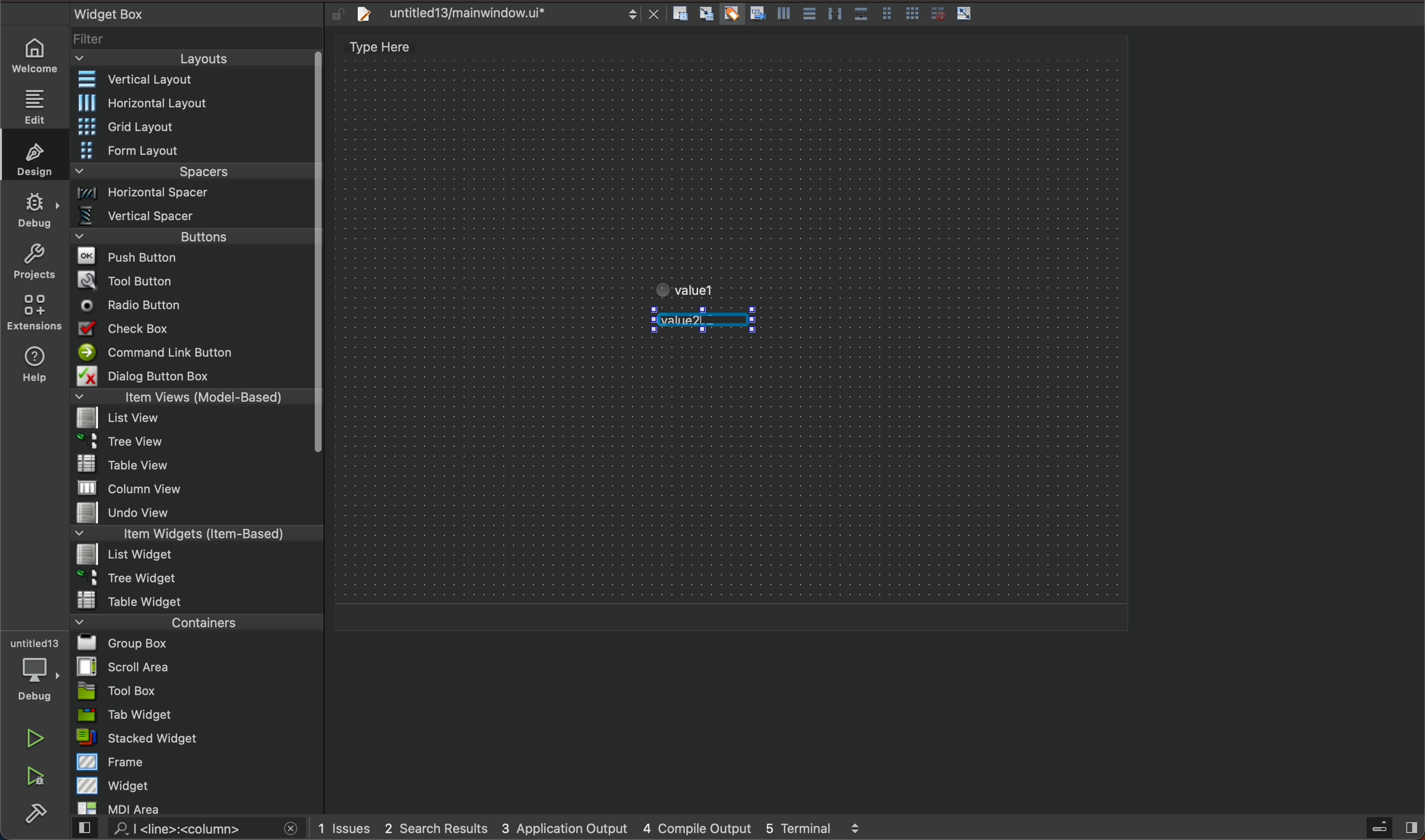  What do you see at coordinates (198, 600) in the screenshot?
I see `table widget` at bounding box center [198, 600].